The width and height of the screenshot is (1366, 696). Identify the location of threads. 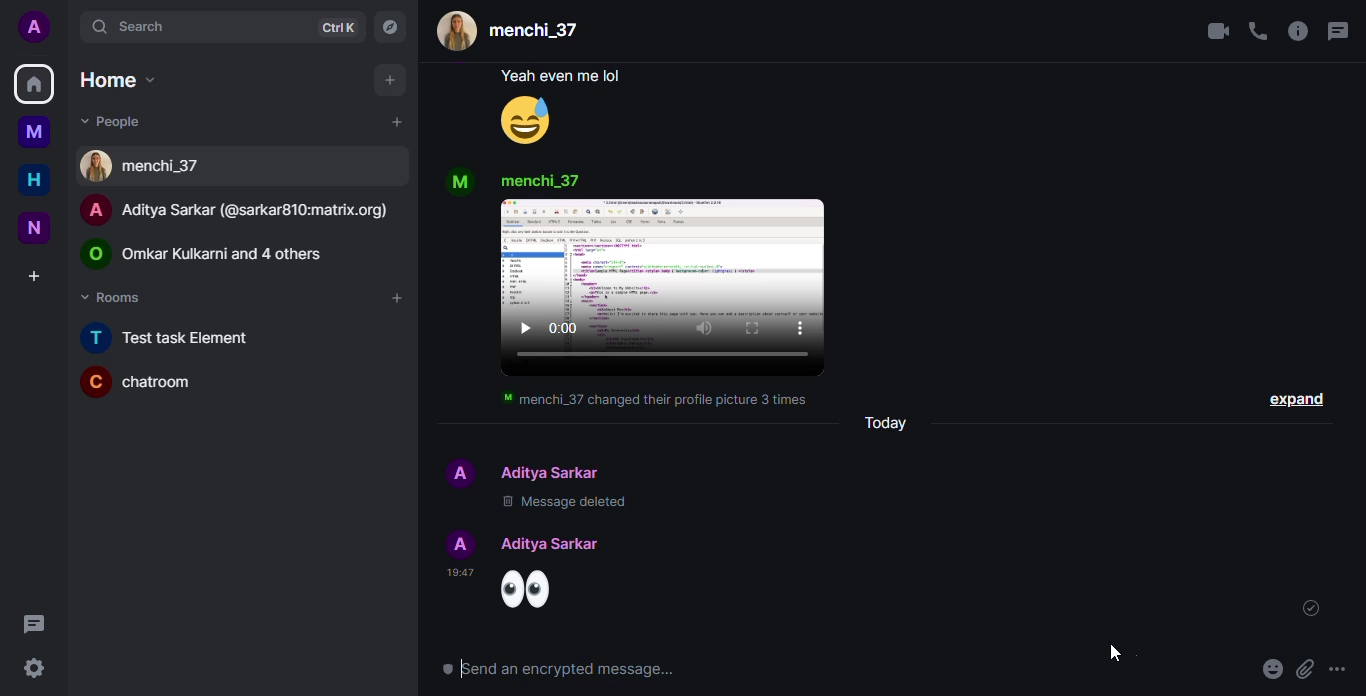
(34, 621).